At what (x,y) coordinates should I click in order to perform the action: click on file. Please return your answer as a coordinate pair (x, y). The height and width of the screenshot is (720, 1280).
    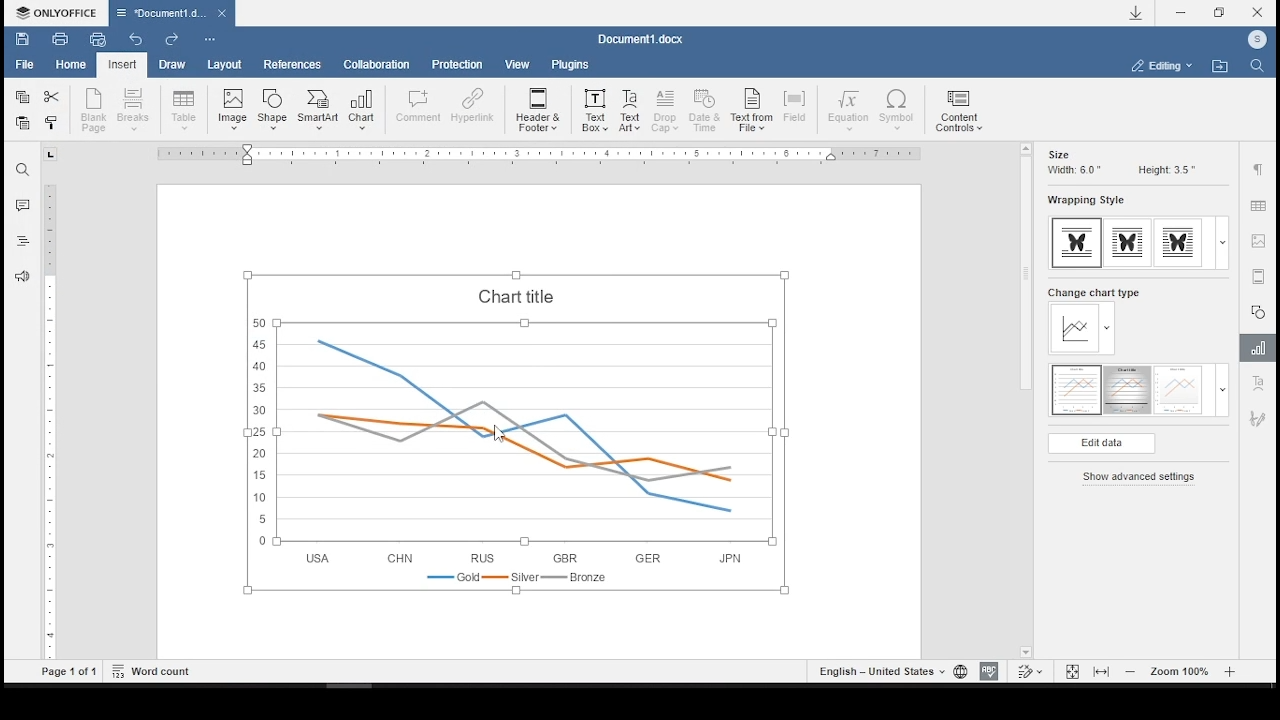
    Looking at the image, I should click on (24, 65).